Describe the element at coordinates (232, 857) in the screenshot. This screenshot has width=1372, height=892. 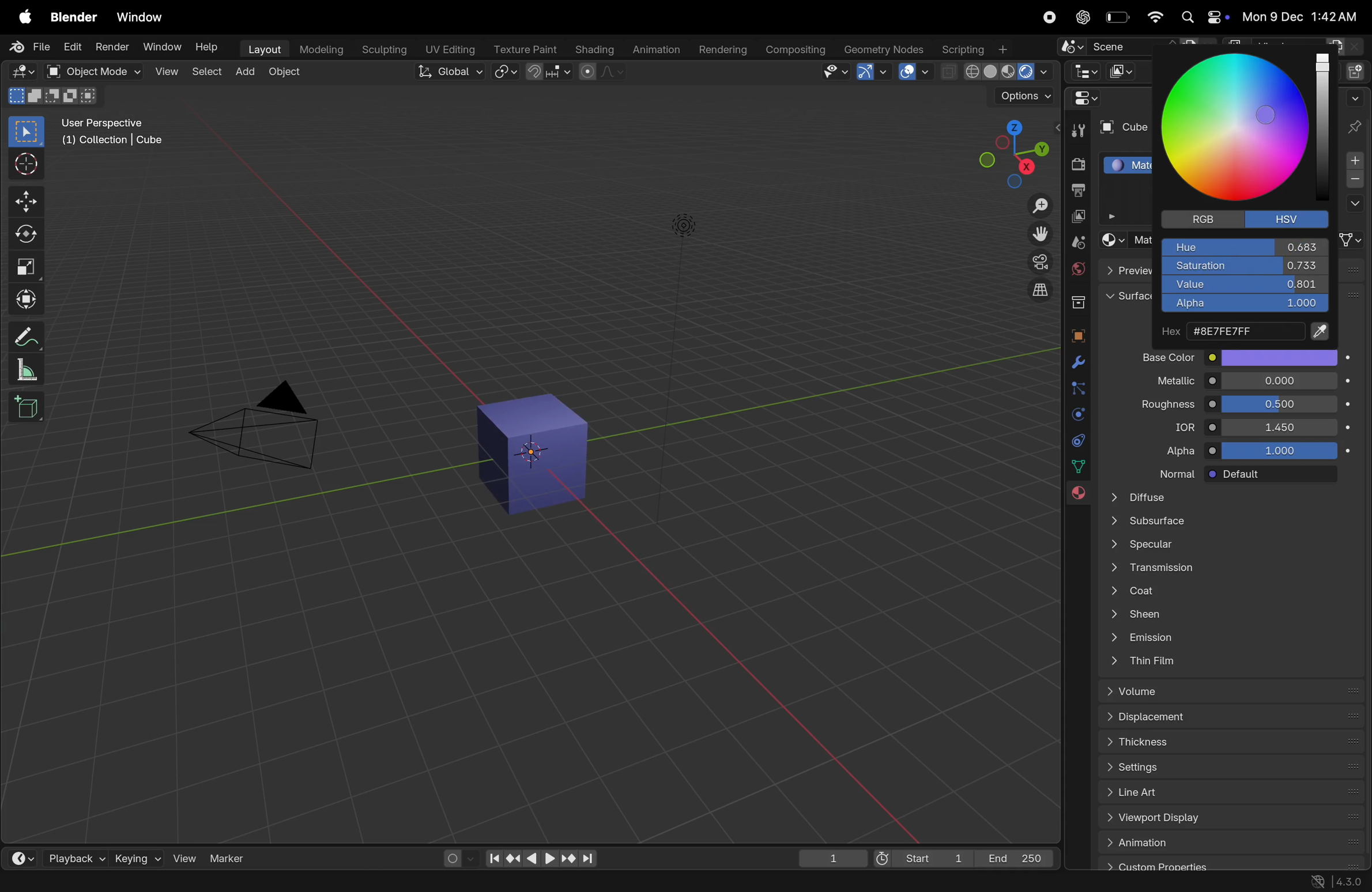
I see `marker` at that location.